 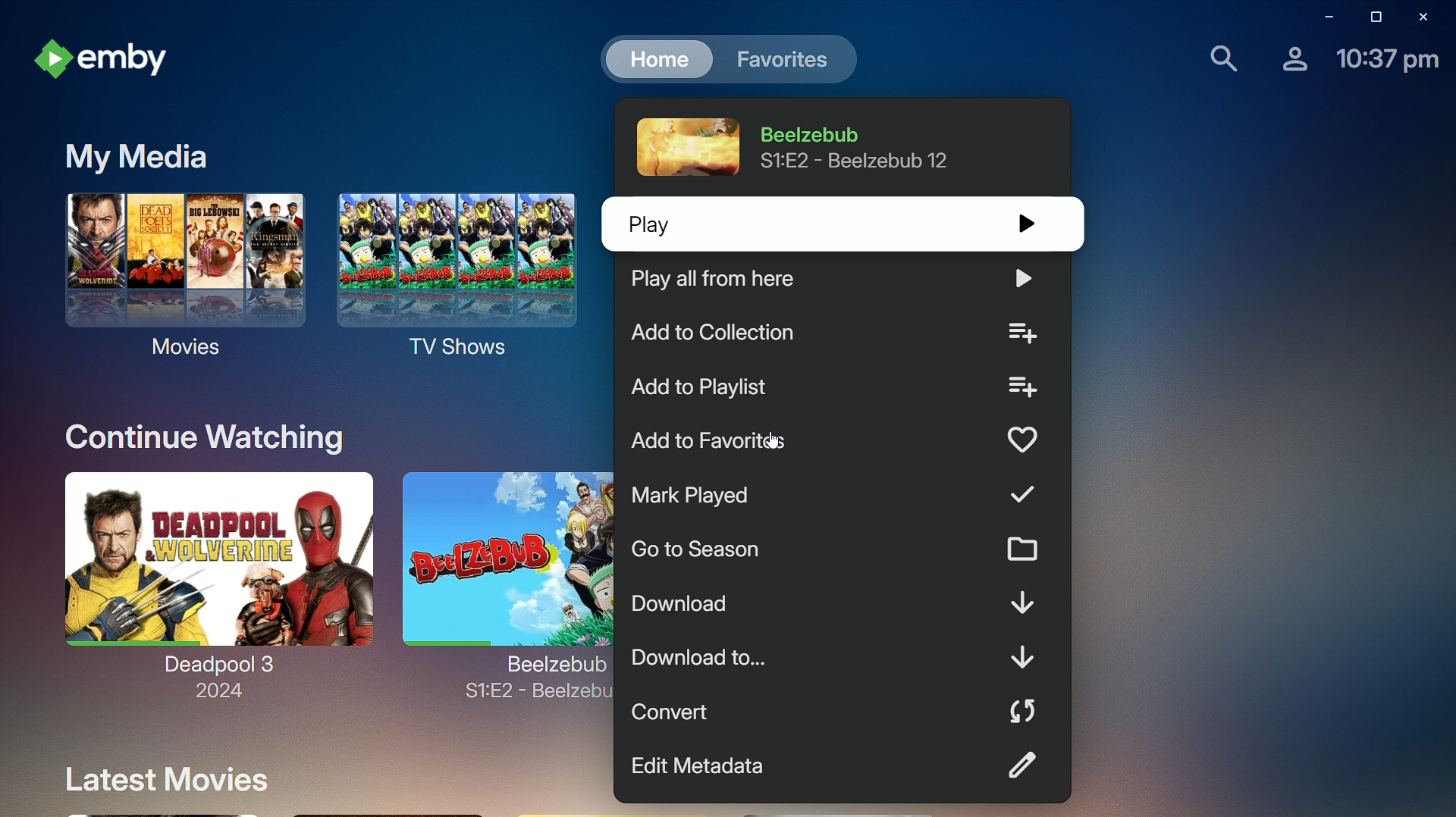 I want to click on emby, so click(x=109, y=62).